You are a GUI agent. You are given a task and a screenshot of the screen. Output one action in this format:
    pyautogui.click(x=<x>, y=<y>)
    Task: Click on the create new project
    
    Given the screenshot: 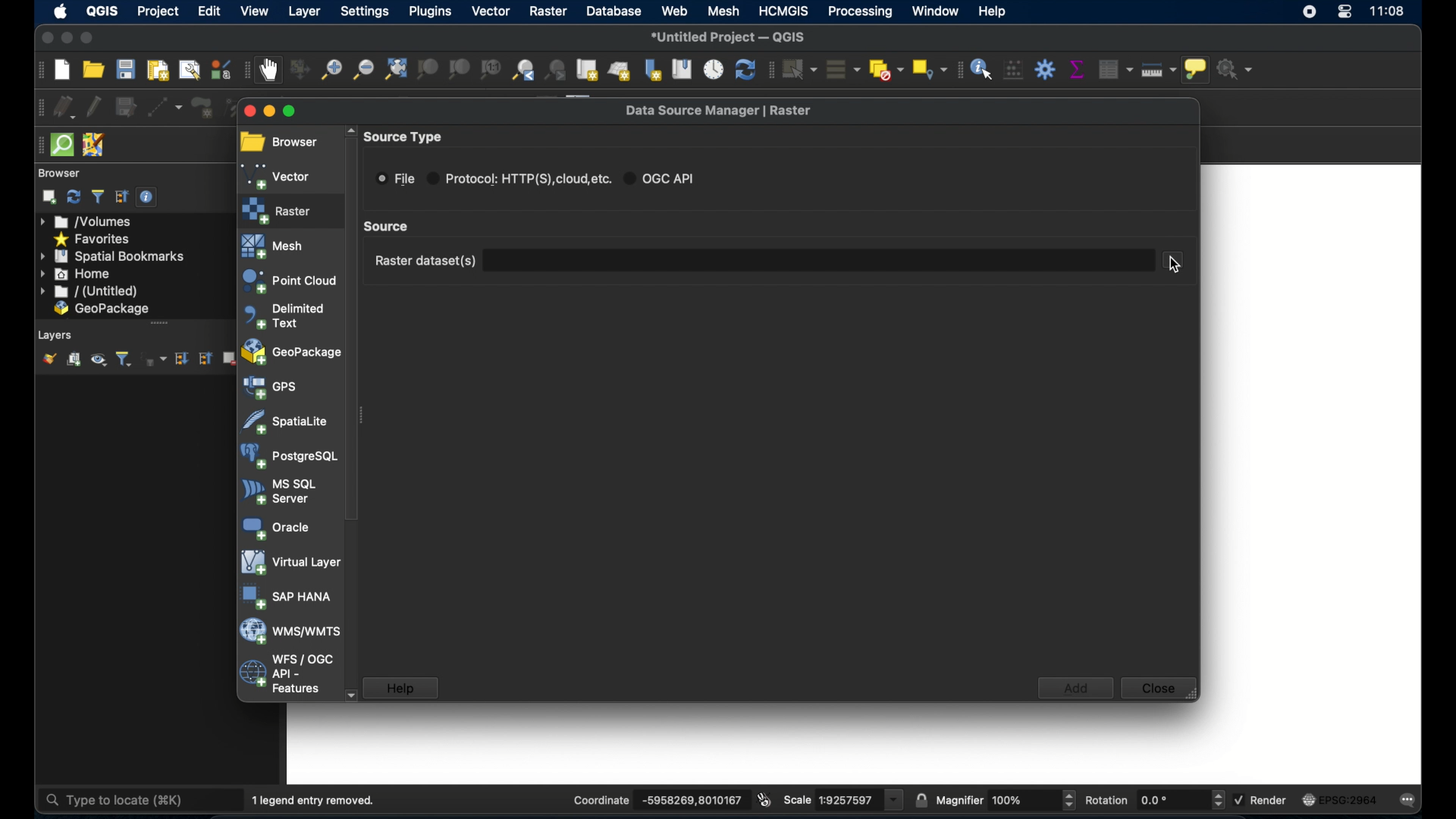 What is the action you would take?
    pyautogui.click(x=61, y=70)
    